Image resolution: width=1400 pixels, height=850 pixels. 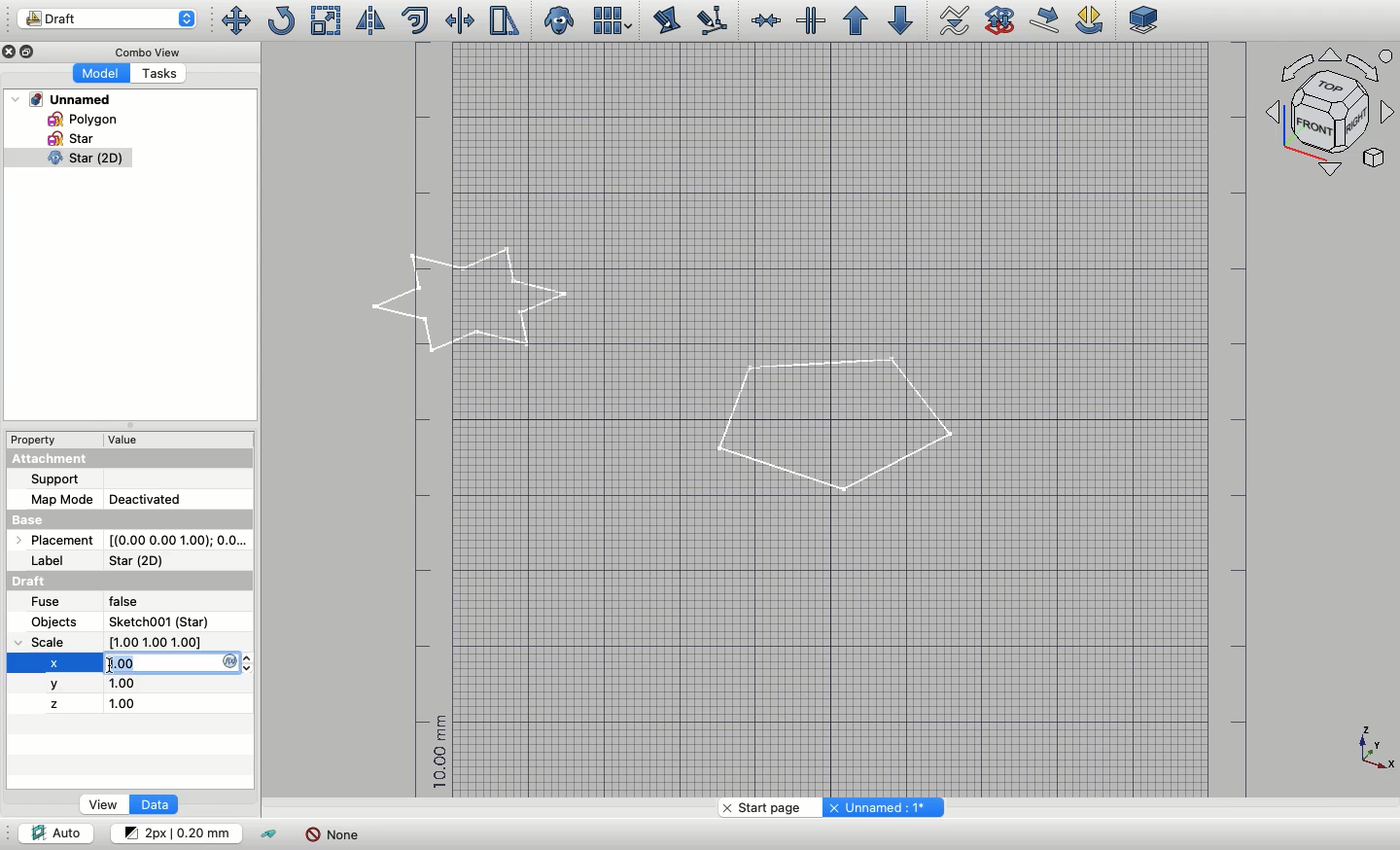 I want to click on Typing, so click(x=173, y=663).